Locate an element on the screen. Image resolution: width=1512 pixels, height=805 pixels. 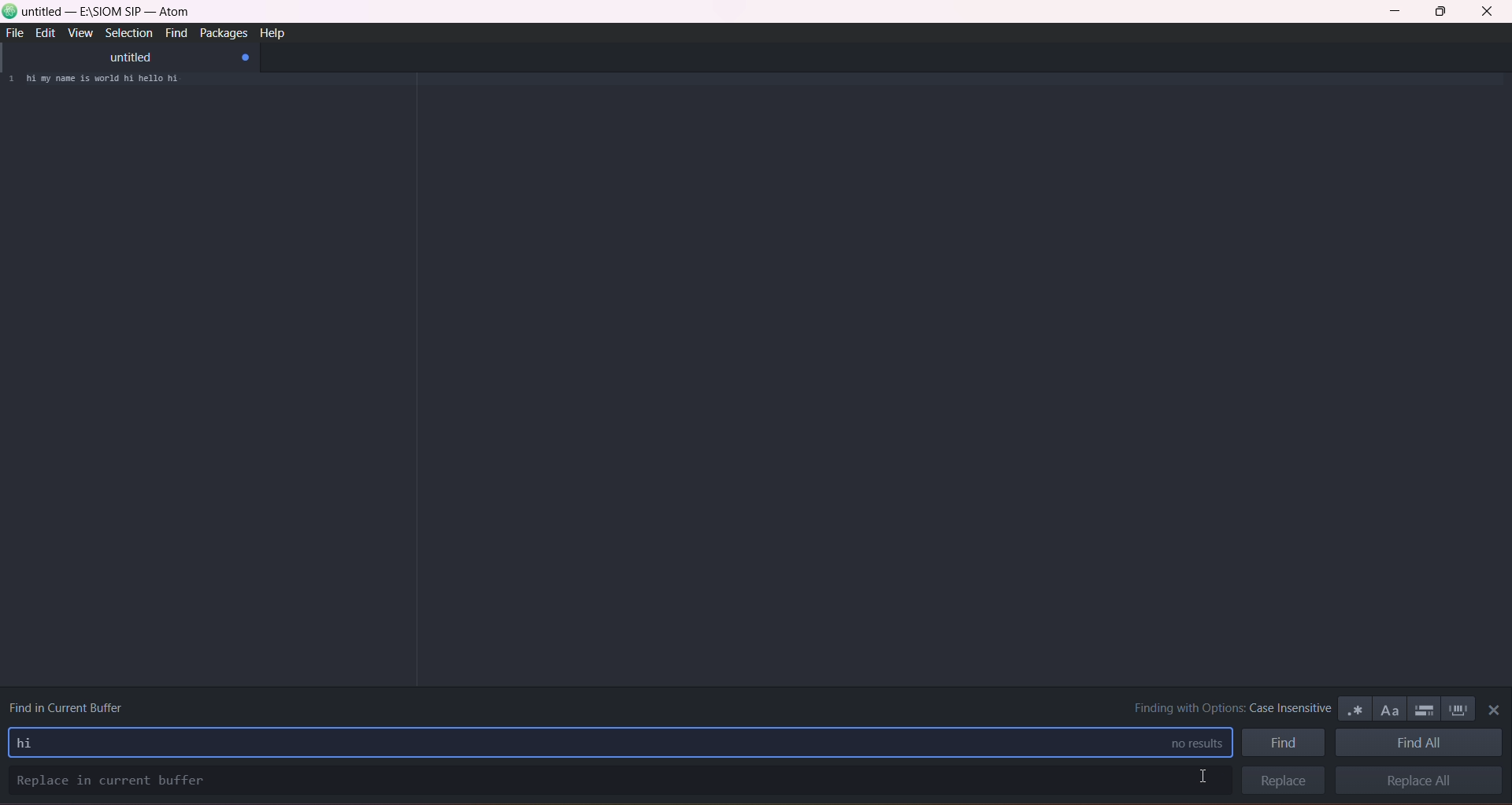
whole word is located at coordinates (1458, 708).